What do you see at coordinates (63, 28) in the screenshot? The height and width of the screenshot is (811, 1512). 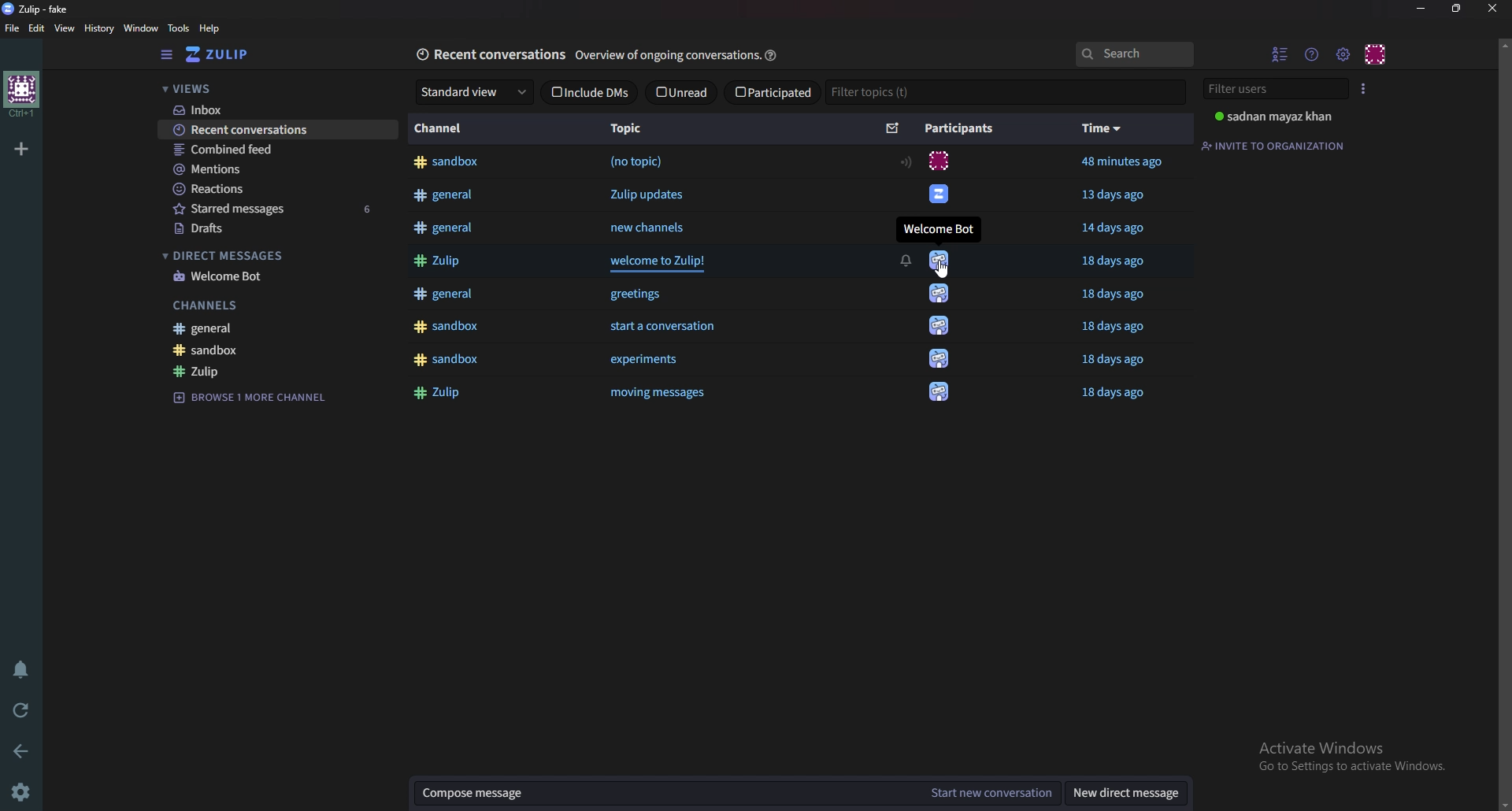 I see `View` at bounding box center [63, 28].